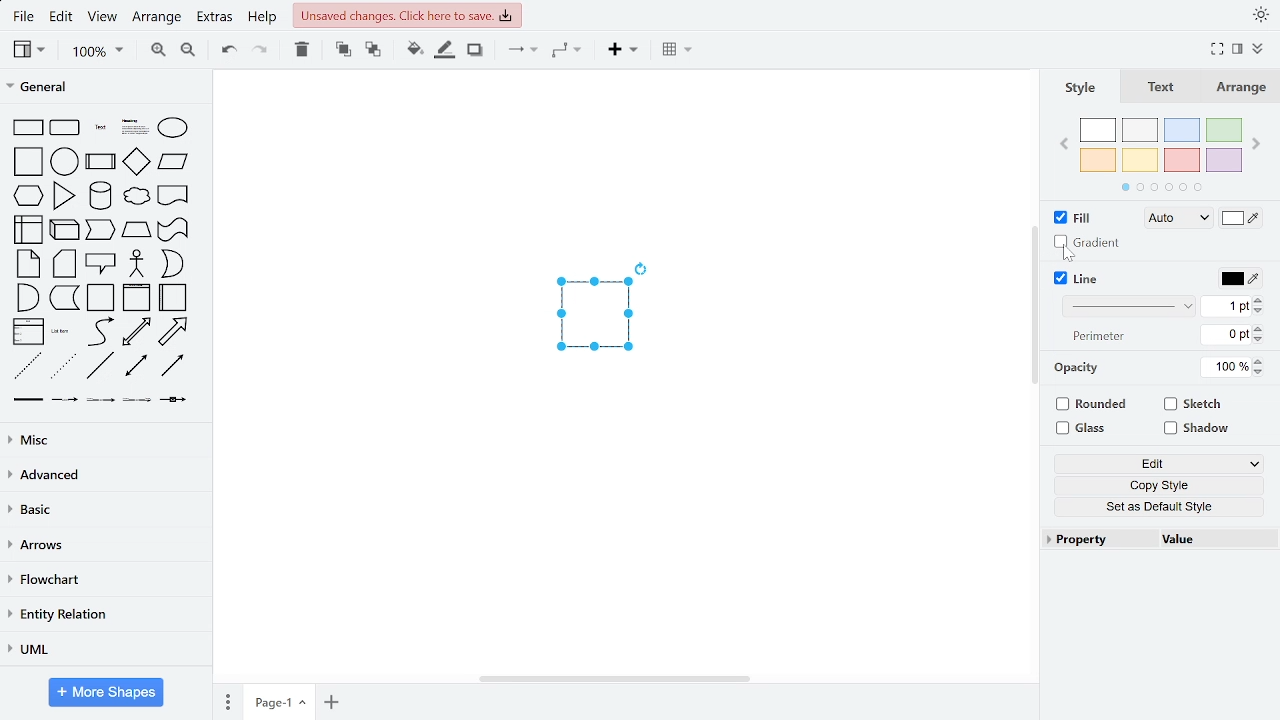 The image size is (1280, 720). Describe the element at coordinates (302, 51) in the screenshot. I see `delete` at that location.